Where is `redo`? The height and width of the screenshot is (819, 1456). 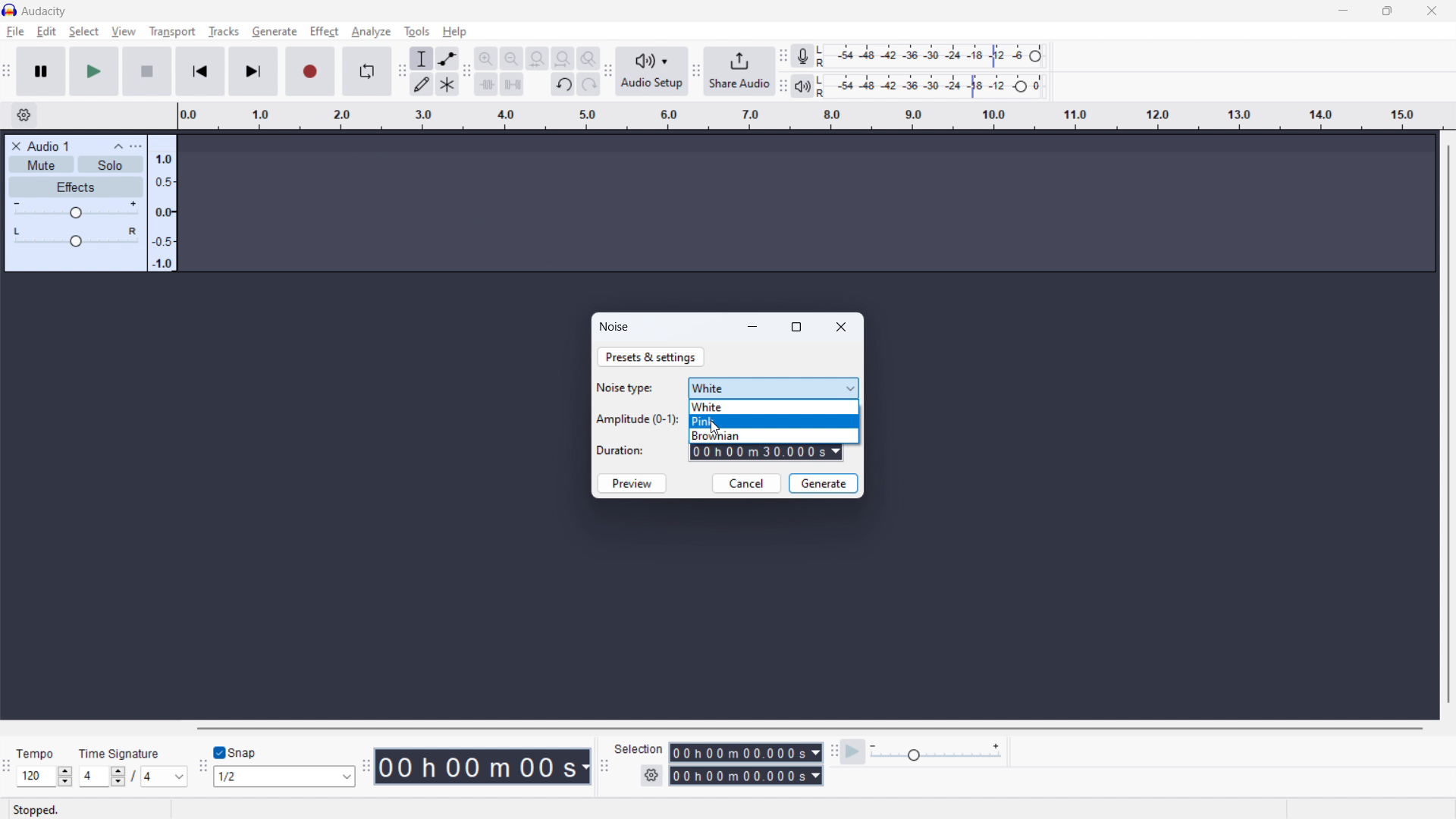 redo is located at coordinates (588, 84).